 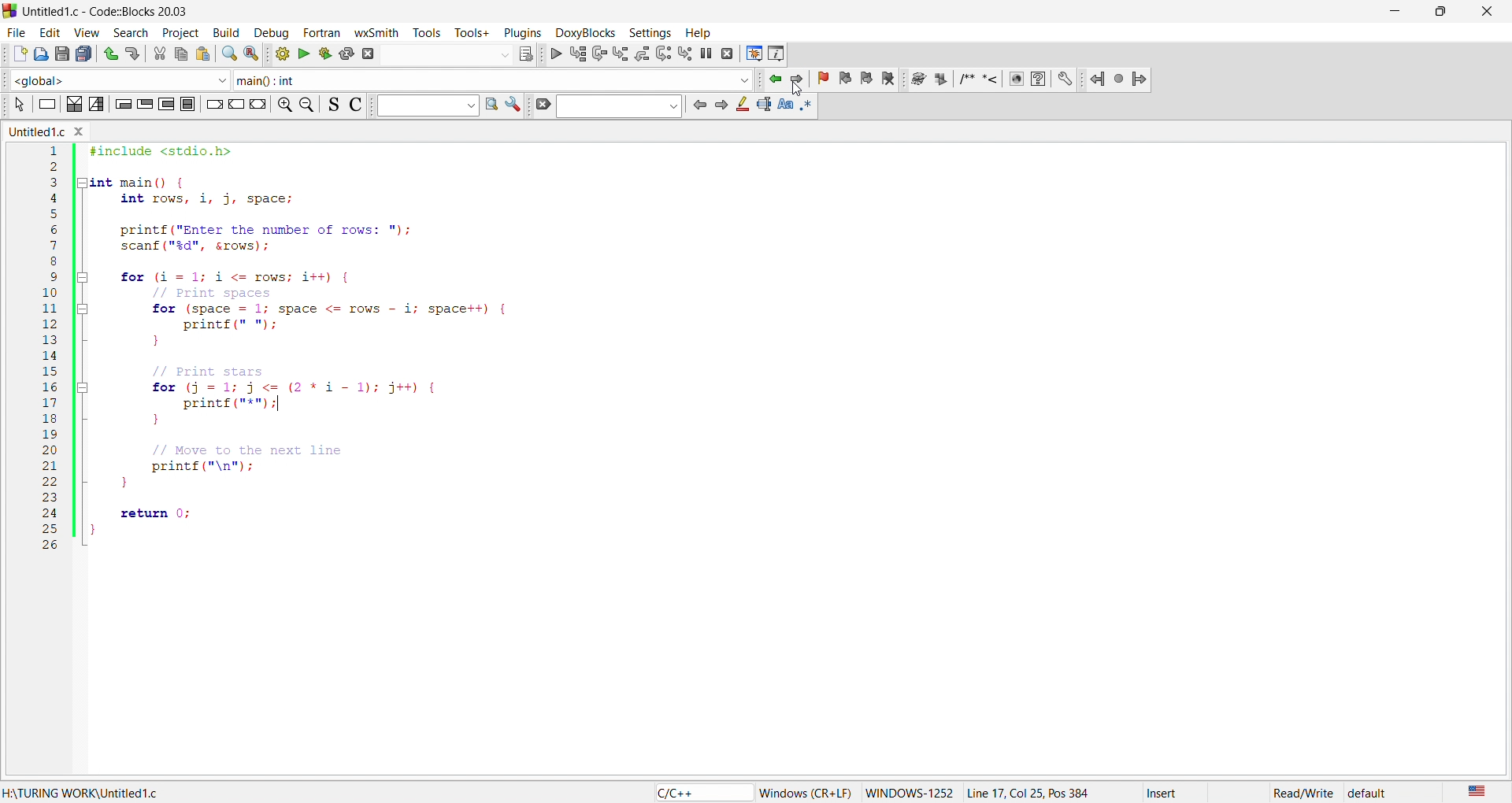 What do you see at coordinates (187, 106) in the screenshot?
I see `icon` at bounding box center [187, 106].